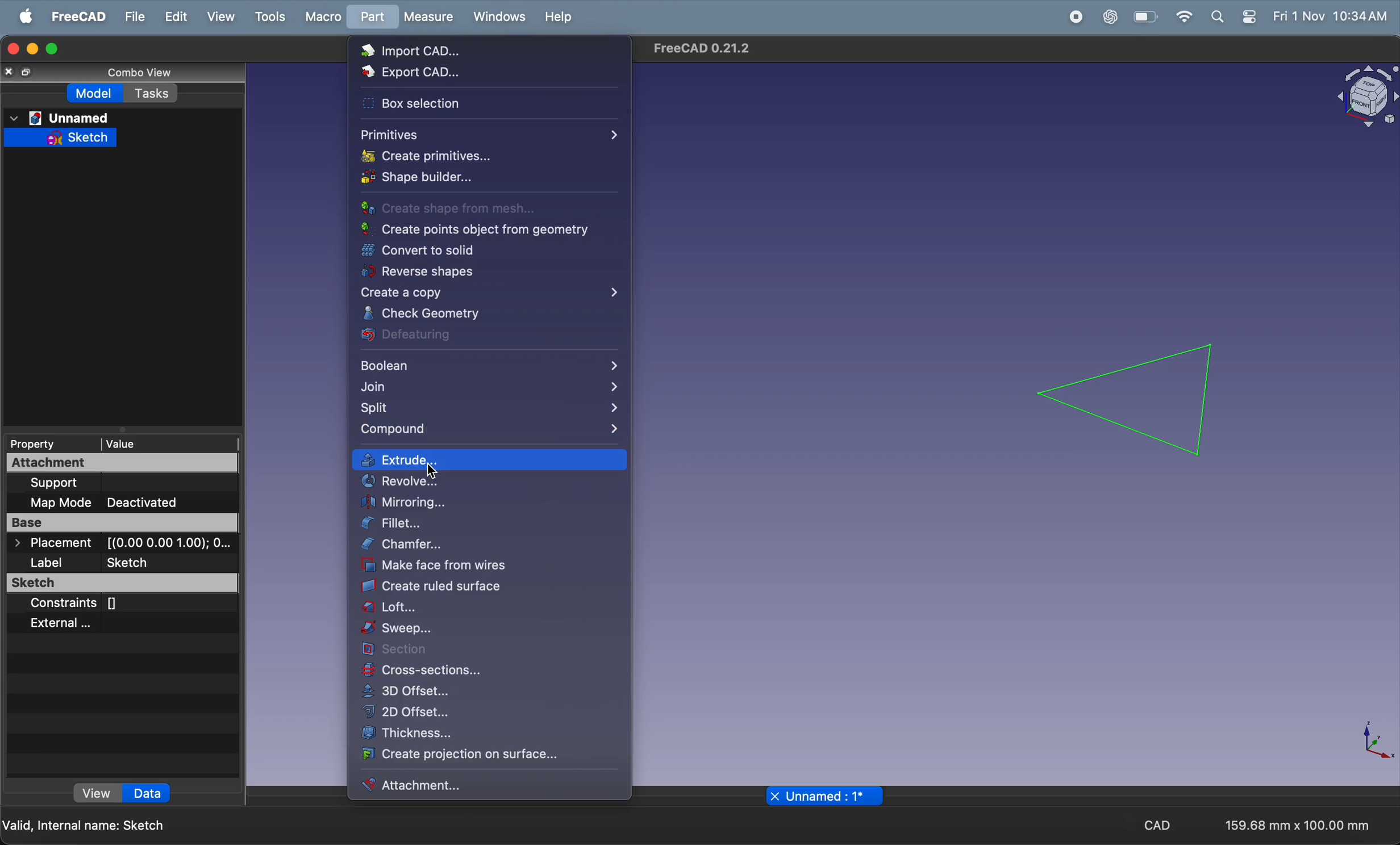 The image size is (1400, 845). Describe the element at coordinates (124, 564) in the screenshot. I see `label sketch` at that location.